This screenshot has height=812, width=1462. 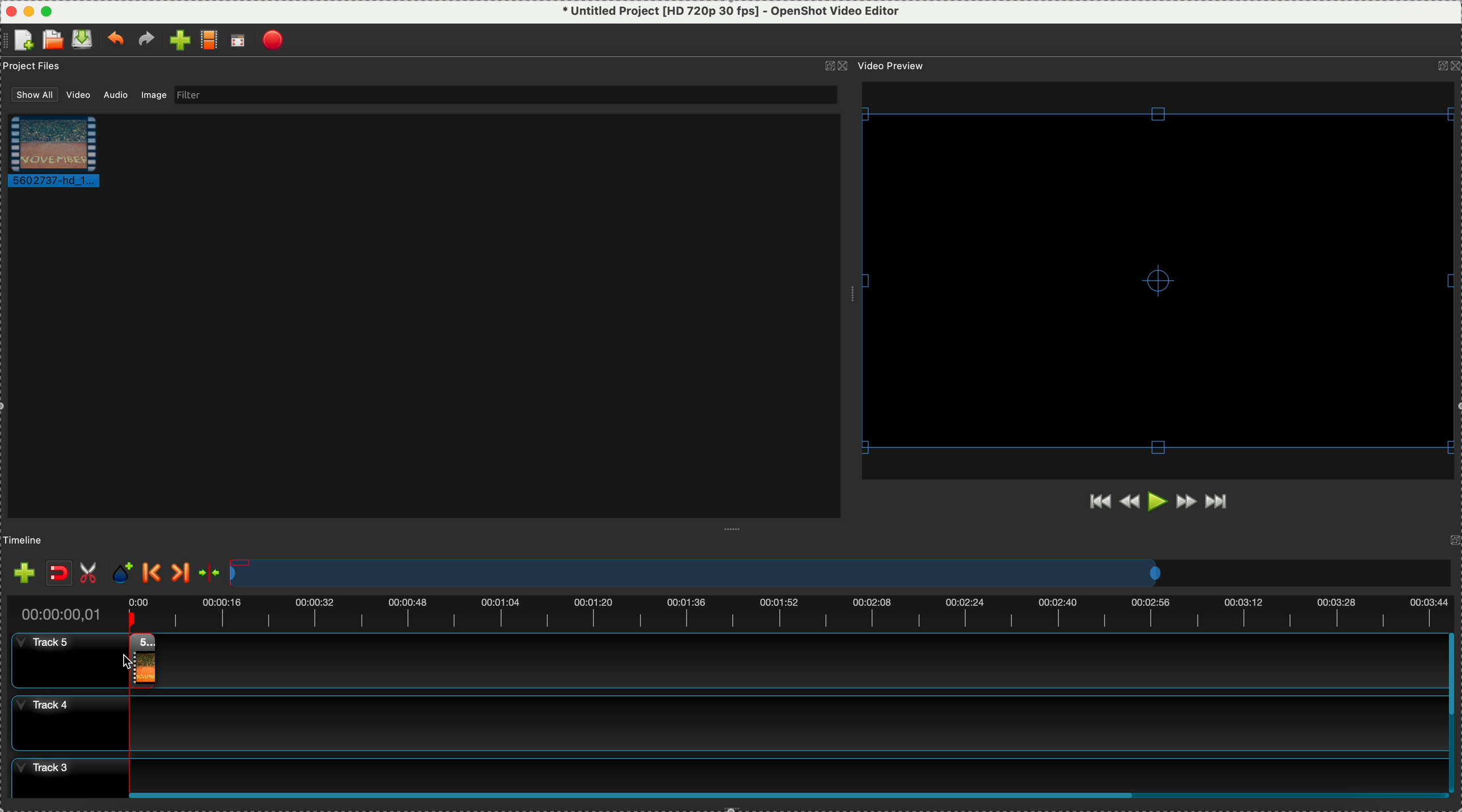 What do you see at coordinates (182, 573) in the screenshot?
I see `next marker` at bounding box center [182, 573].